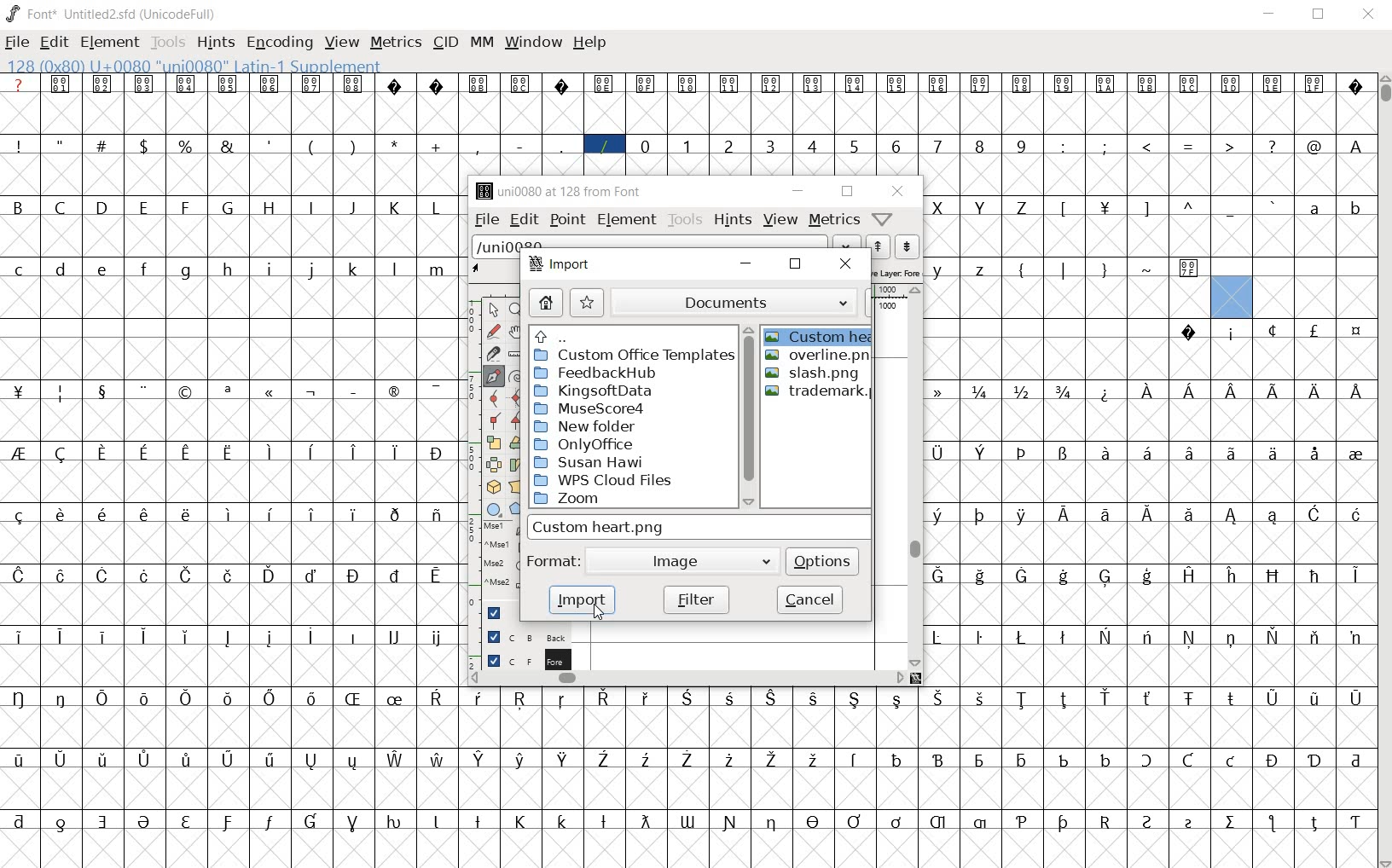 The height and width of the screenshot is (868, 1392). What do you see at coordinates (186, 822) in the screenshot?
I see `glyph` at bounding box center [186, 822].